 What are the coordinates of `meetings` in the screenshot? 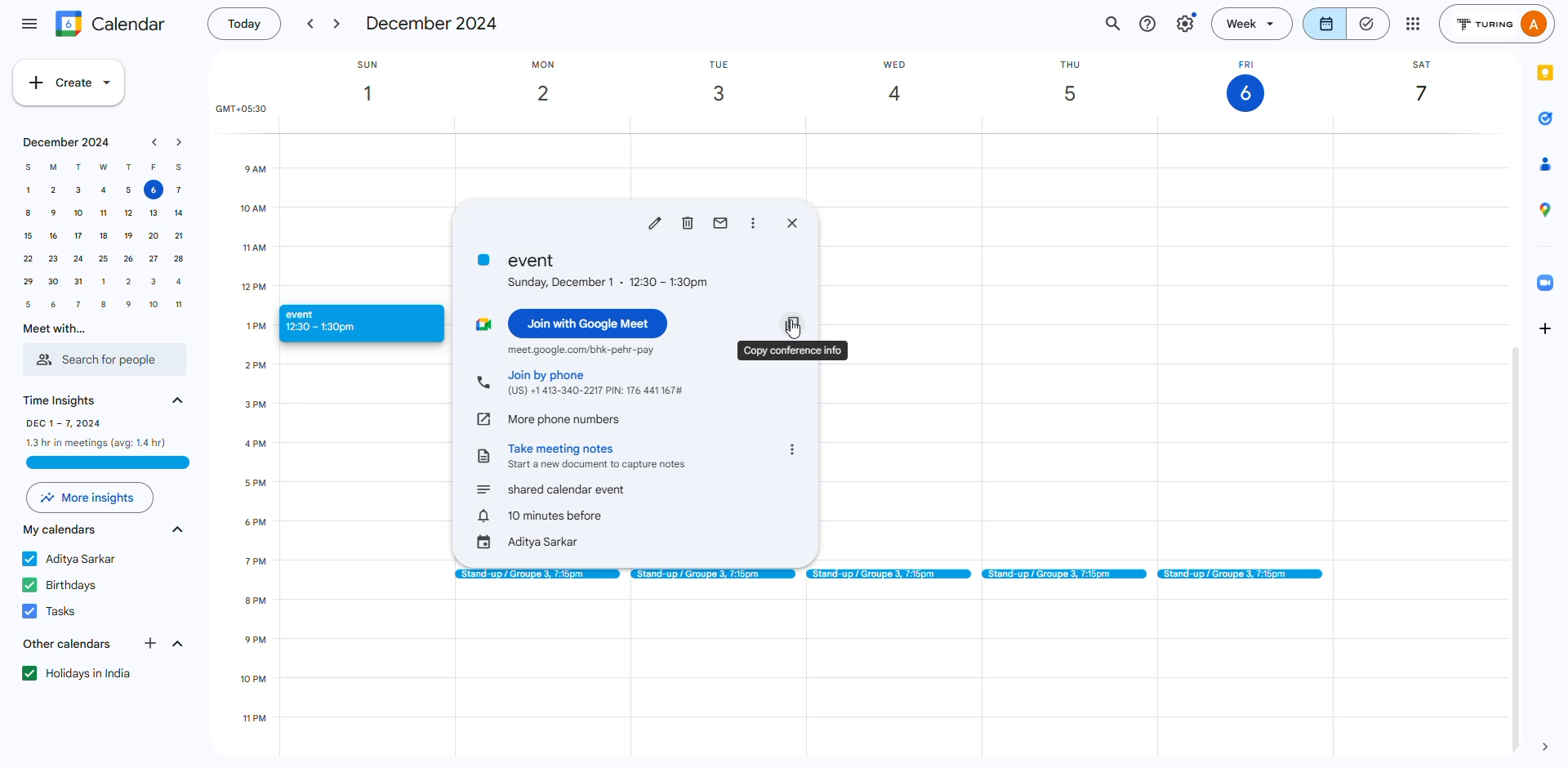 It's located at (534, 574).